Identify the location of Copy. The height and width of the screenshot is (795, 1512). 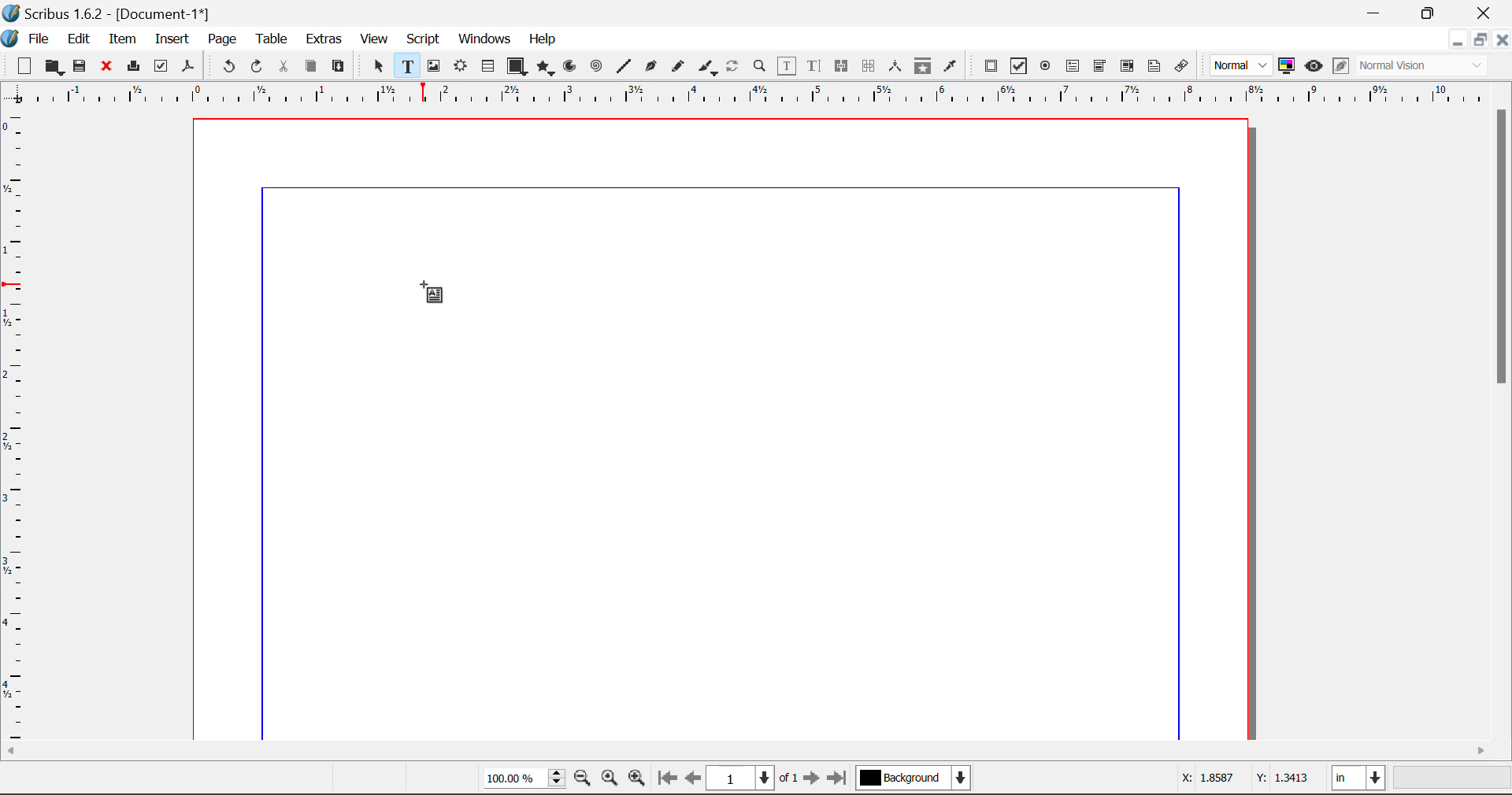
(310, 66).